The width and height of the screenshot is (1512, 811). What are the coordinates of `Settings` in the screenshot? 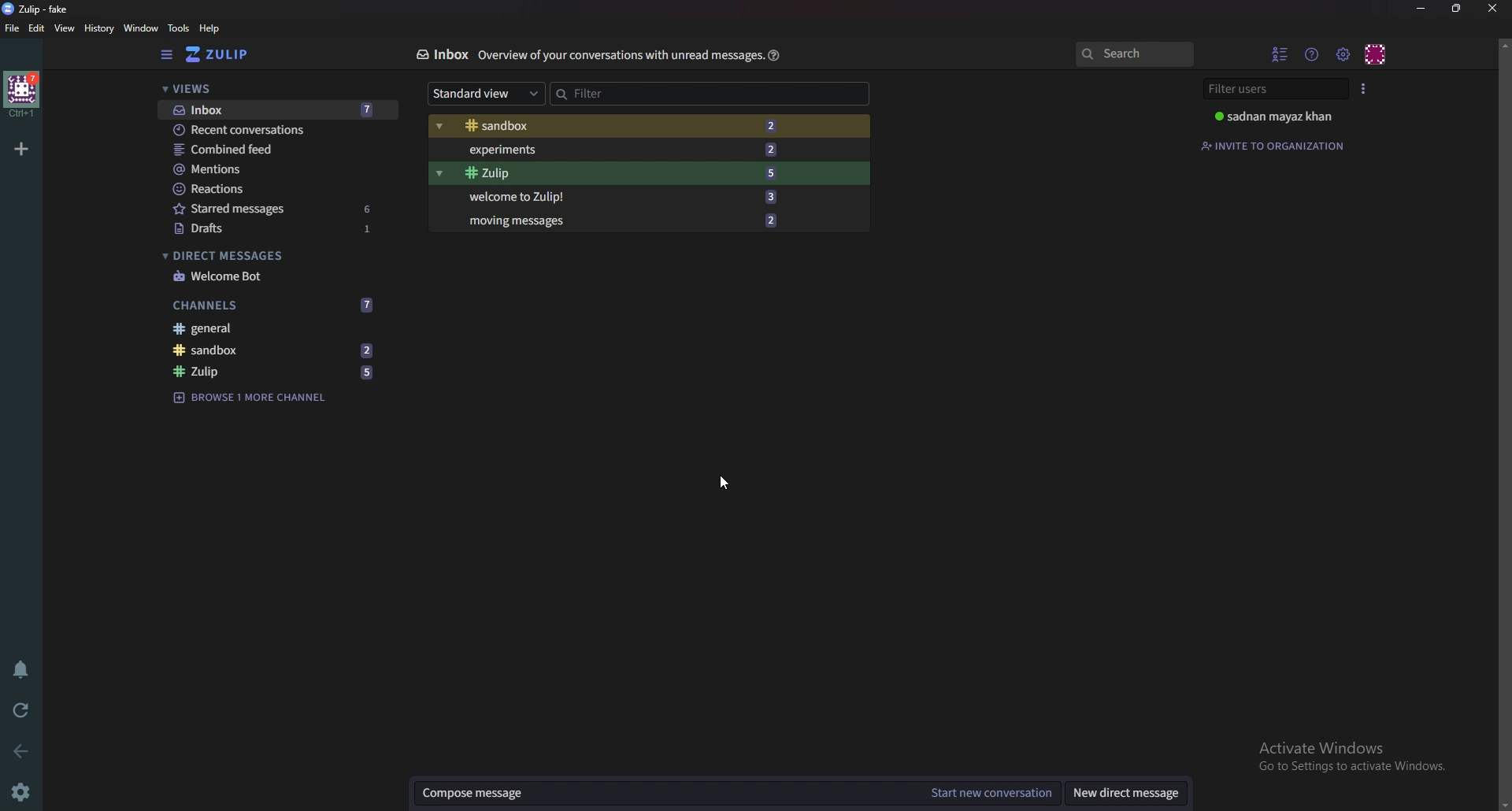 It's located at (24, 790).